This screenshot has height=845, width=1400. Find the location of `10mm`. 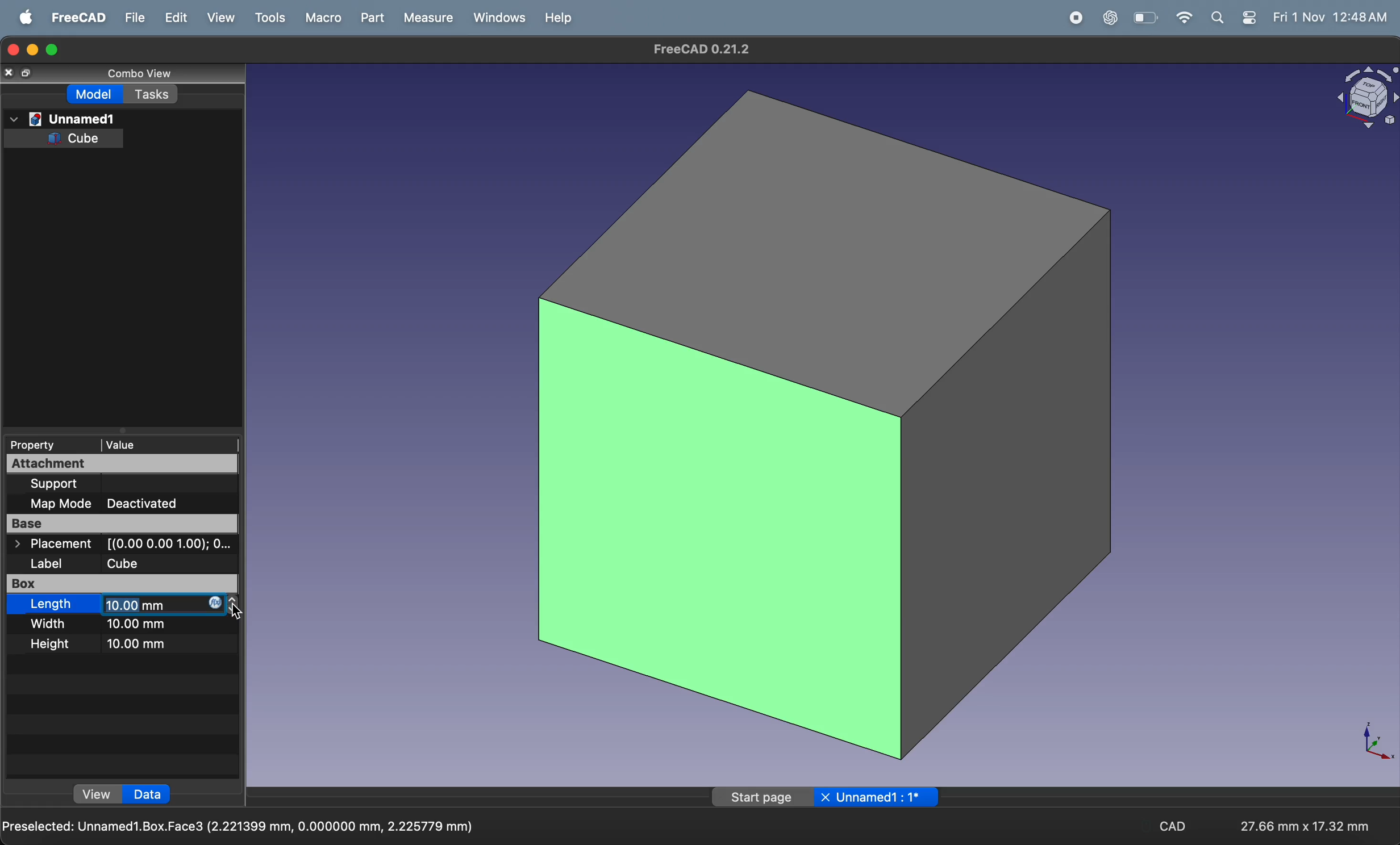

10mm is located at coordinates (140, 643).